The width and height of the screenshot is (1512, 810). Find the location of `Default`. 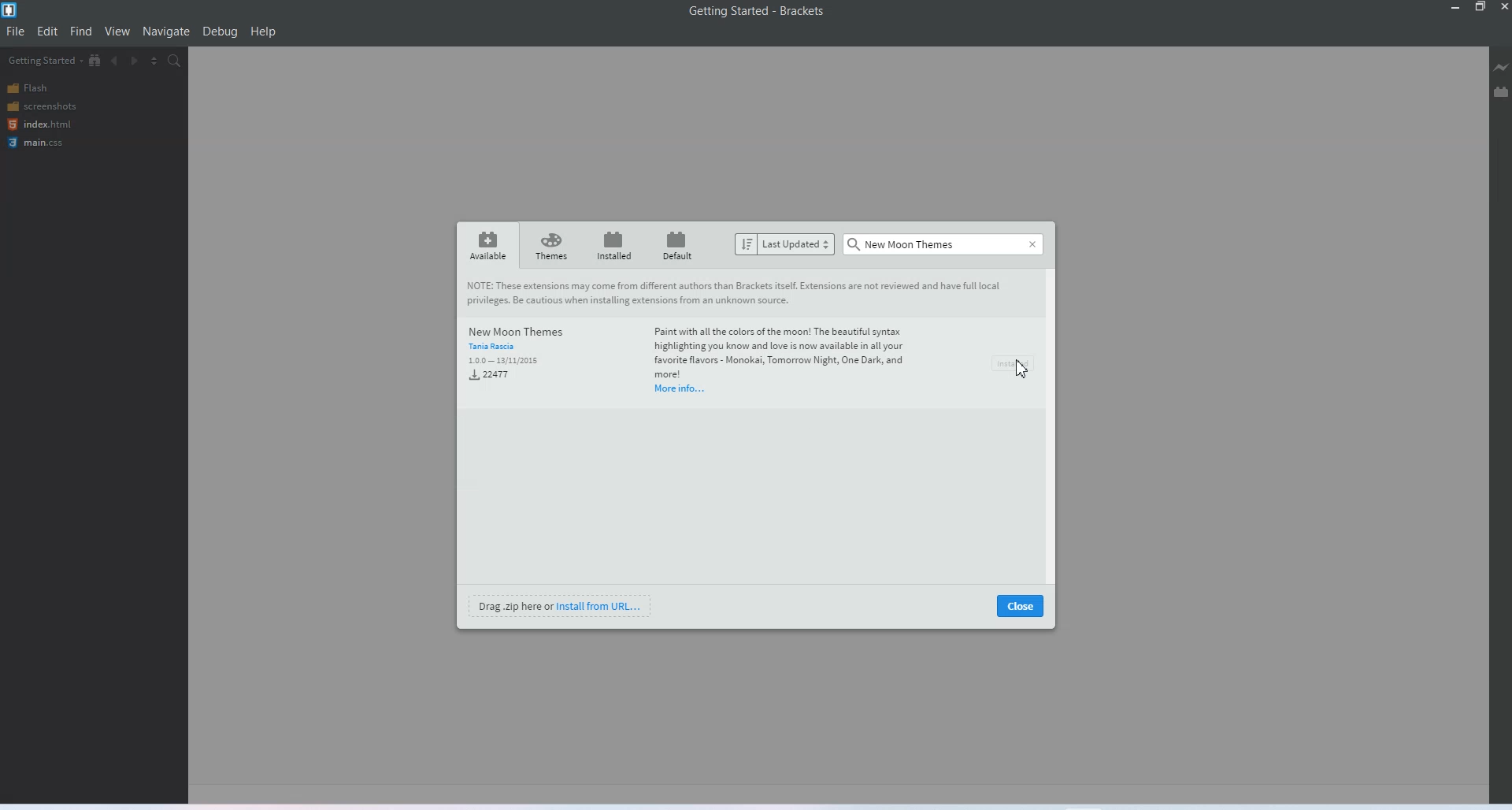

Default is located at coordinates (677, 245).